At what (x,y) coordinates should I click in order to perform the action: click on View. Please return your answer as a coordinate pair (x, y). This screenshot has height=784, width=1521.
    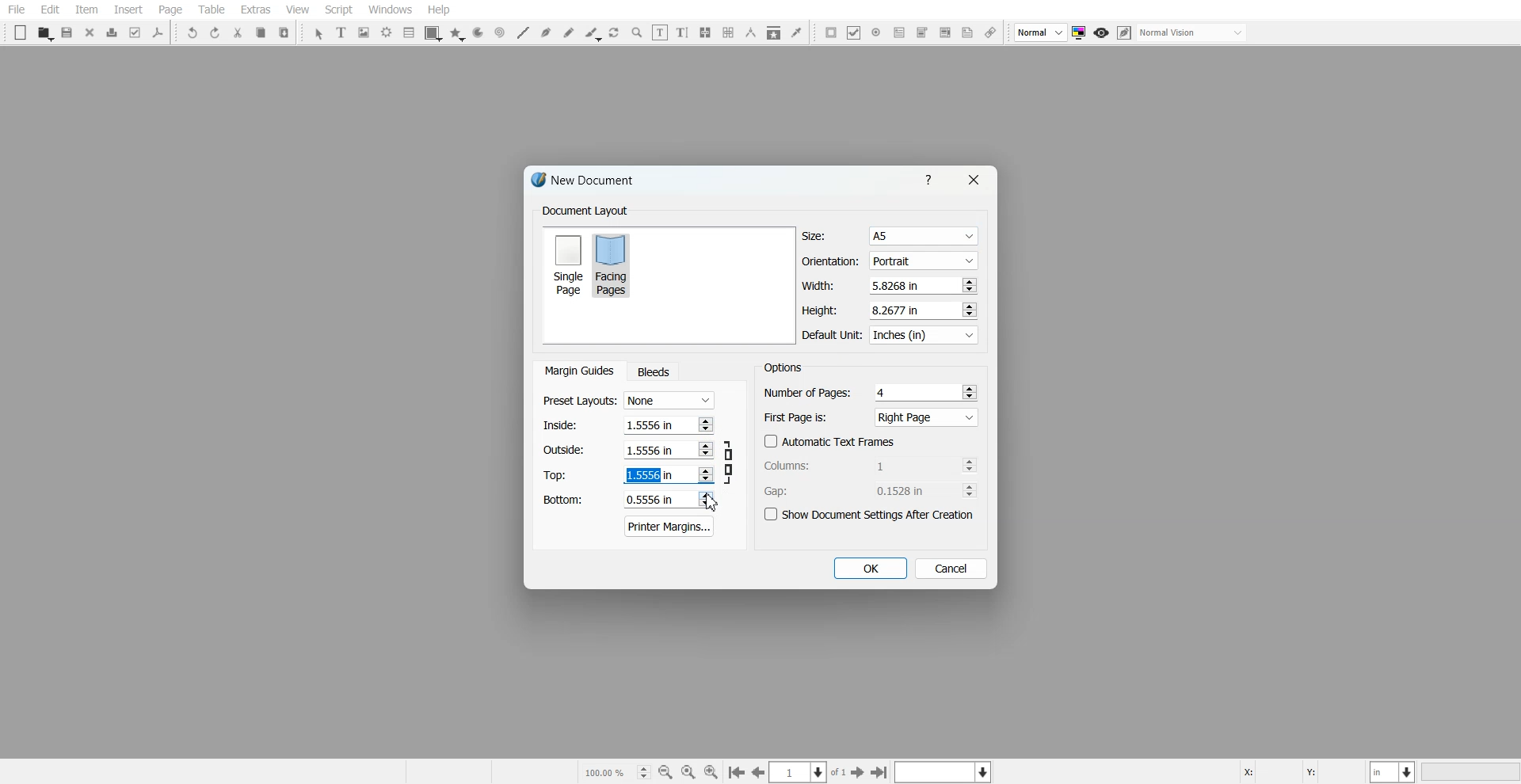
    Looking at the image, I should click on (297, 10).